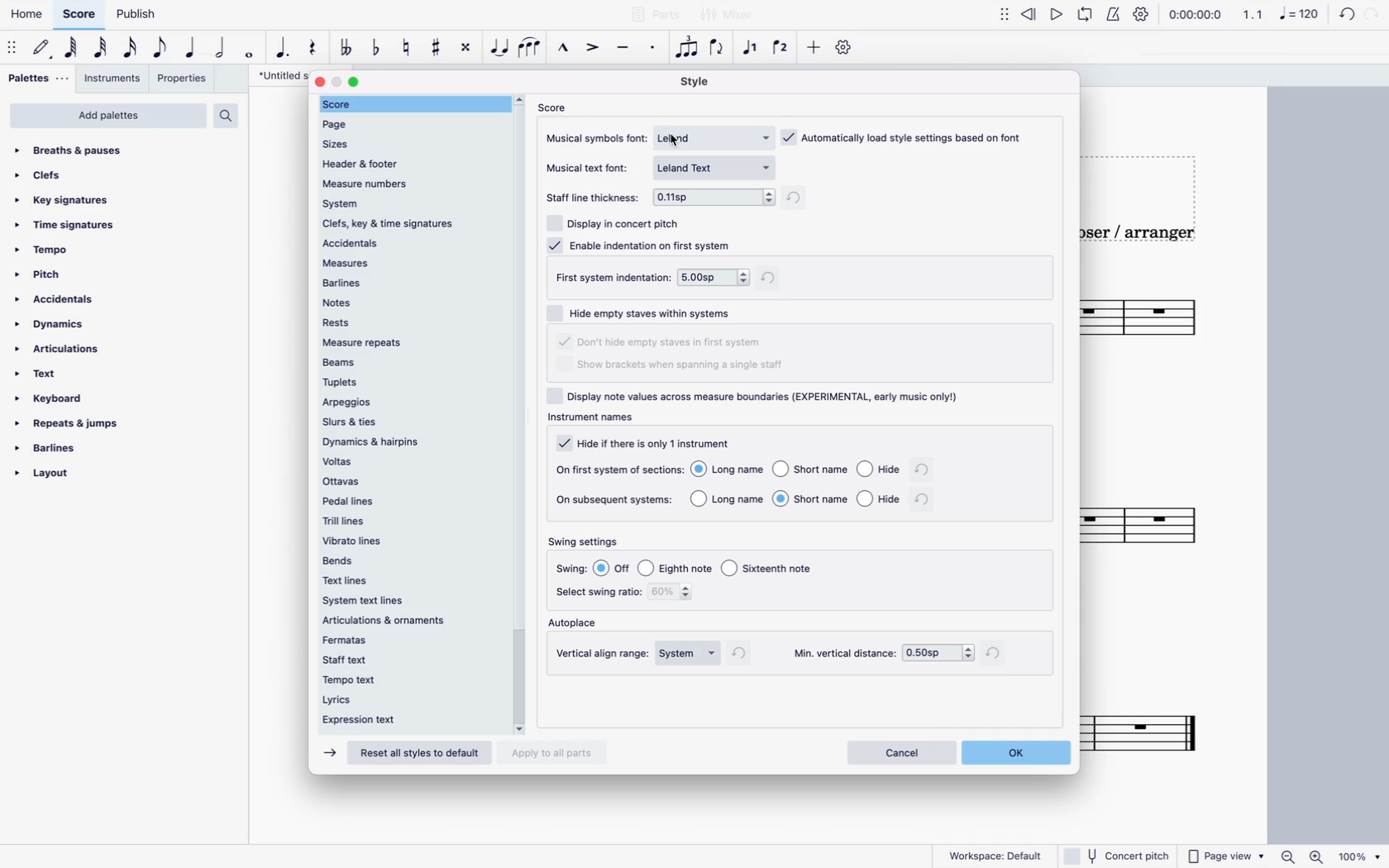 This screenshot has height=868, width=1389. Describe the element at coordinates (416, 501) in the screenshot. I see `pedal lines` at that location.